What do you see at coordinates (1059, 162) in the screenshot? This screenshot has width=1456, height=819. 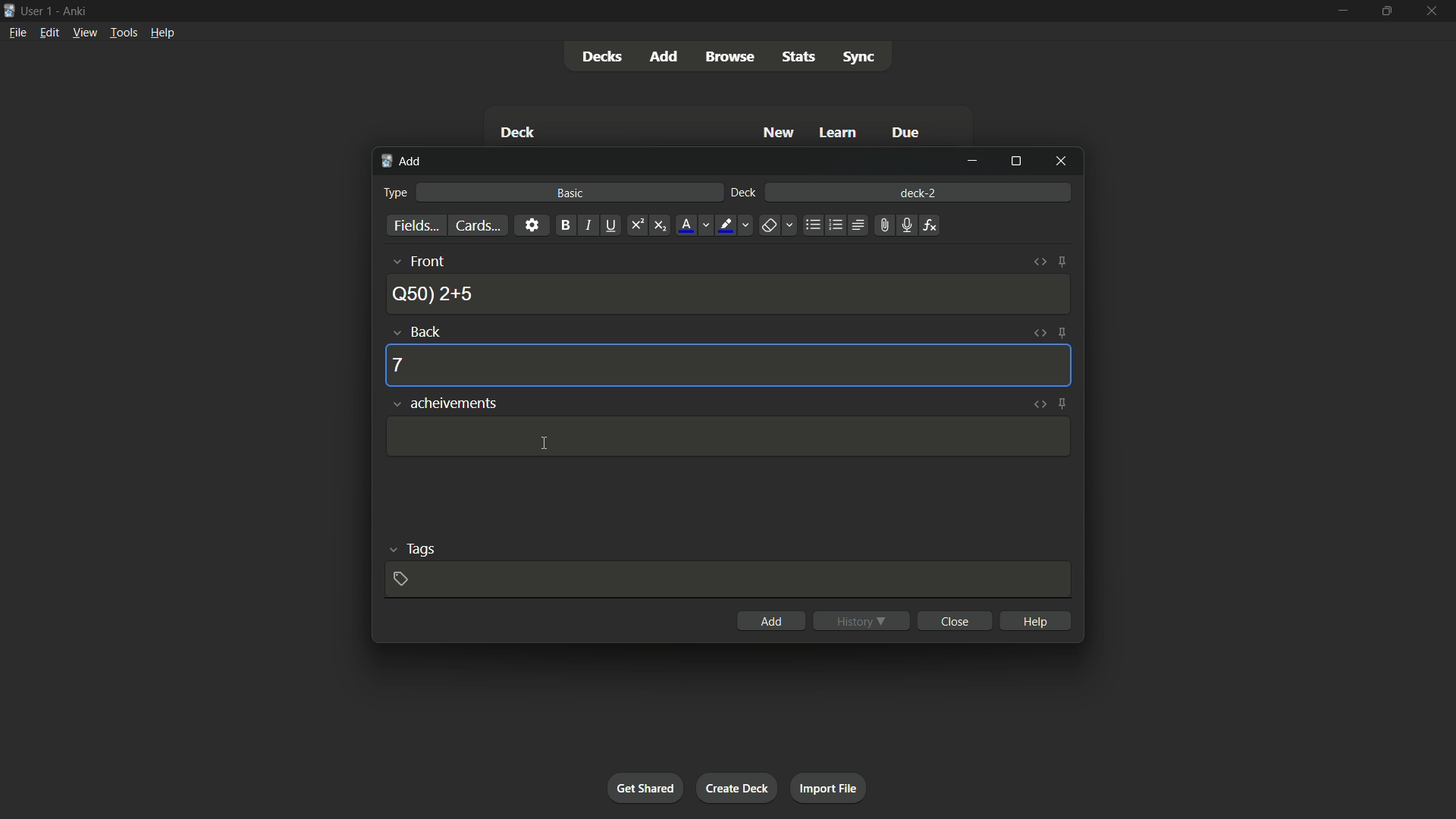 I see `close window` at bounding box center [1059, 162].